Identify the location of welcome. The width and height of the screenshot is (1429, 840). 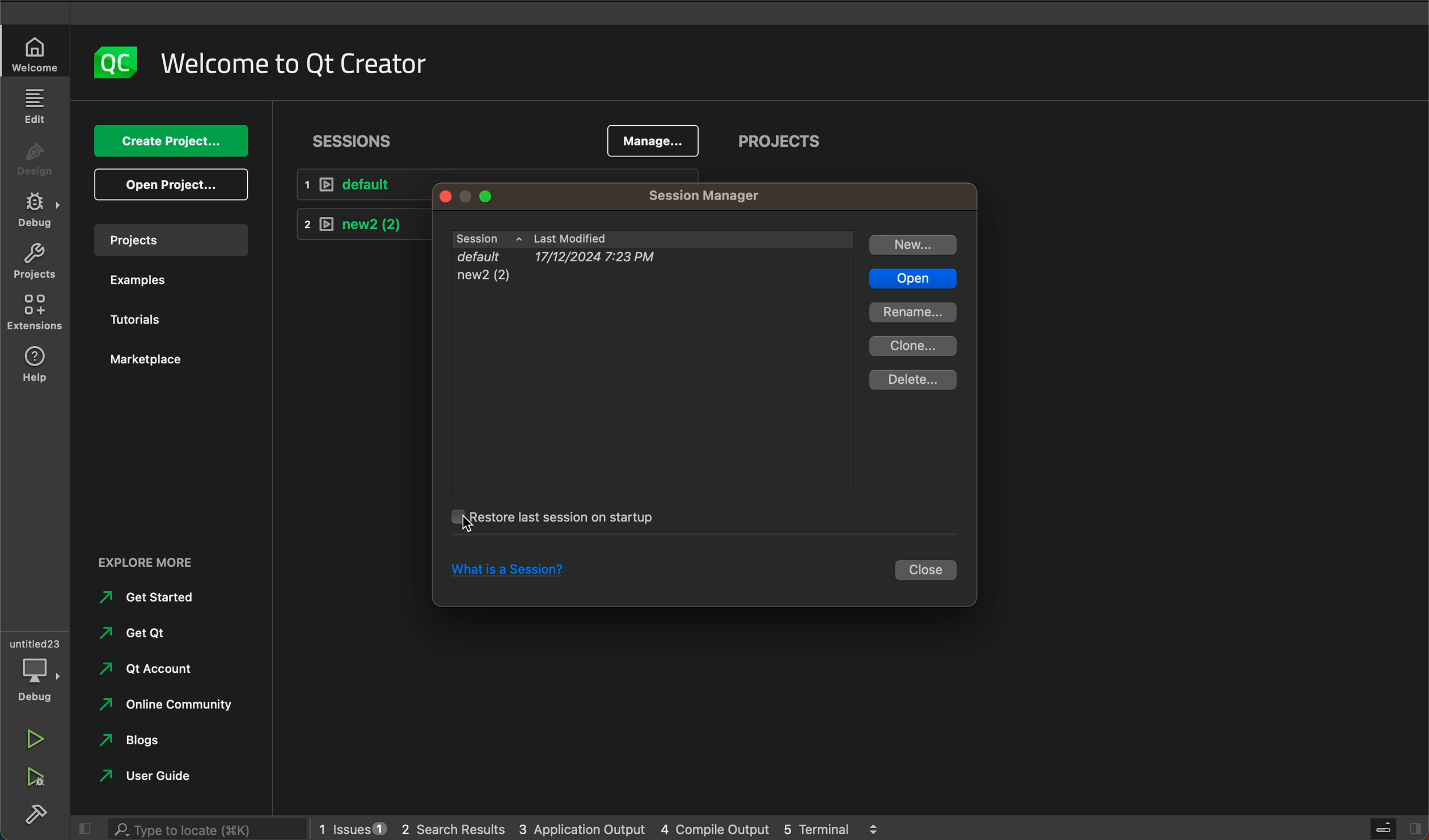
(36, 53).